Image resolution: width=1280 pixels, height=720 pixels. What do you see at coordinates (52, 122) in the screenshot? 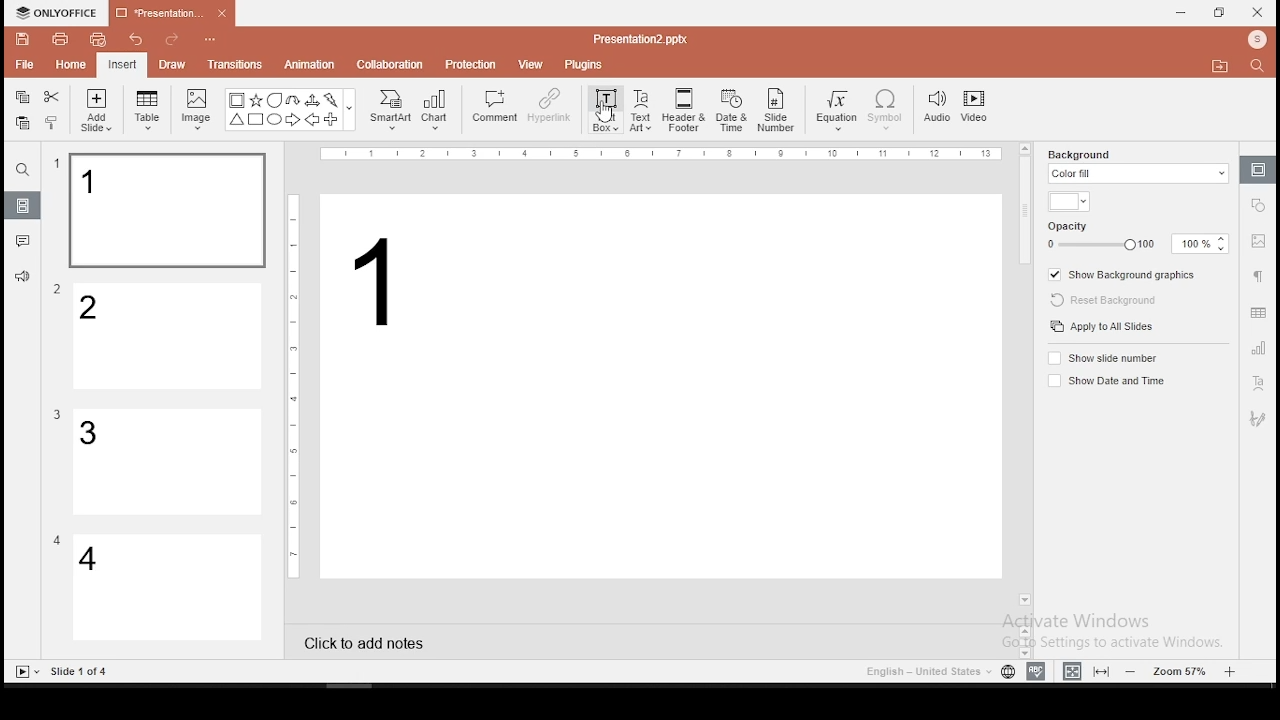
I see `clone formatting` at bounding box center [52, 122].